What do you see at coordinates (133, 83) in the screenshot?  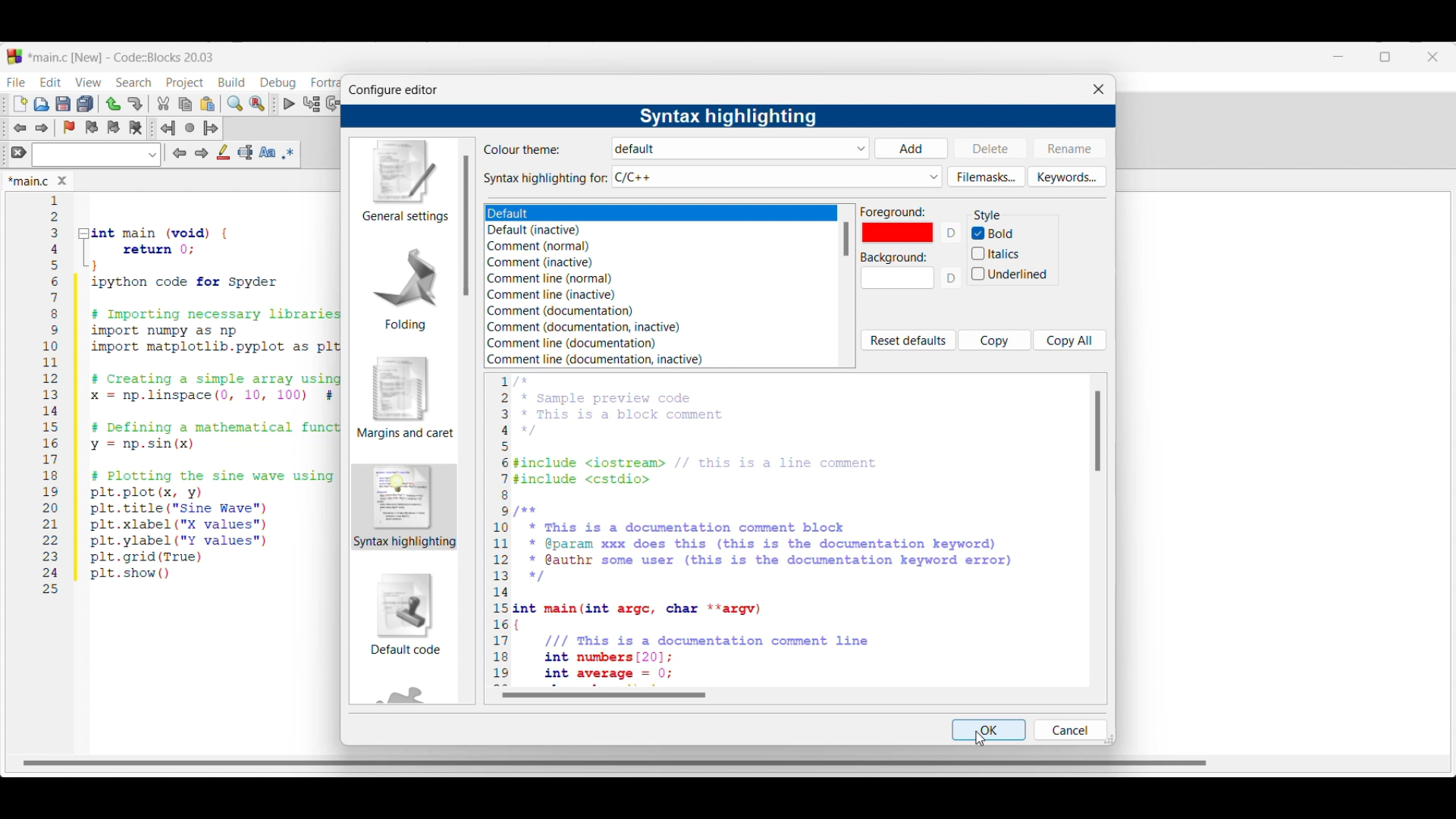 I see `Search menu` at bounding box center [133, 83].